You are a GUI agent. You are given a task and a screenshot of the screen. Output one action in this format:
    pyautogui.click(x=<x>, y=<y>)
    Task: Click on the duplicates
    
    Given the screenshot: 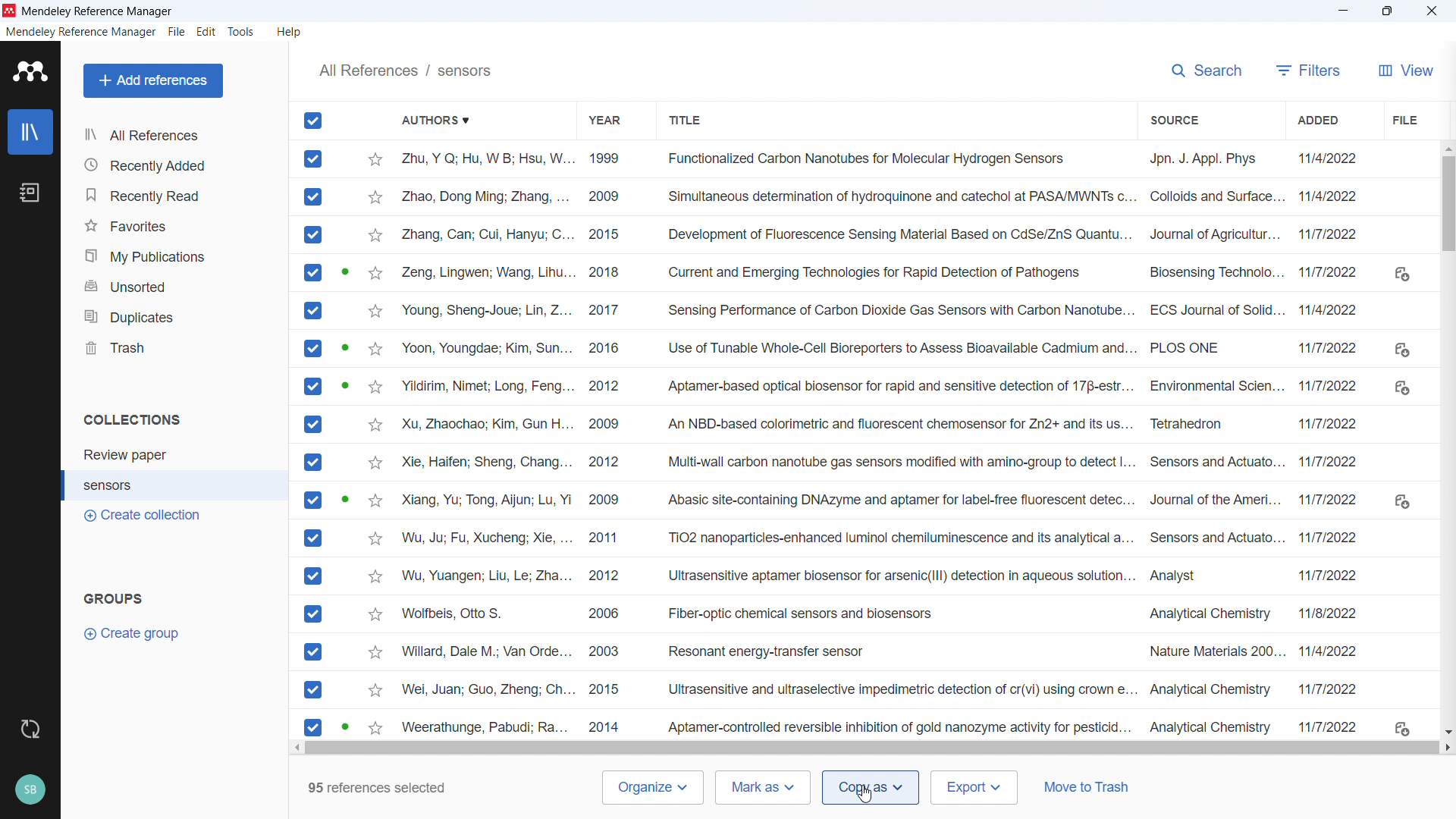 What is the action you would take?
    pyautogui.click(x=174, y=316)
    